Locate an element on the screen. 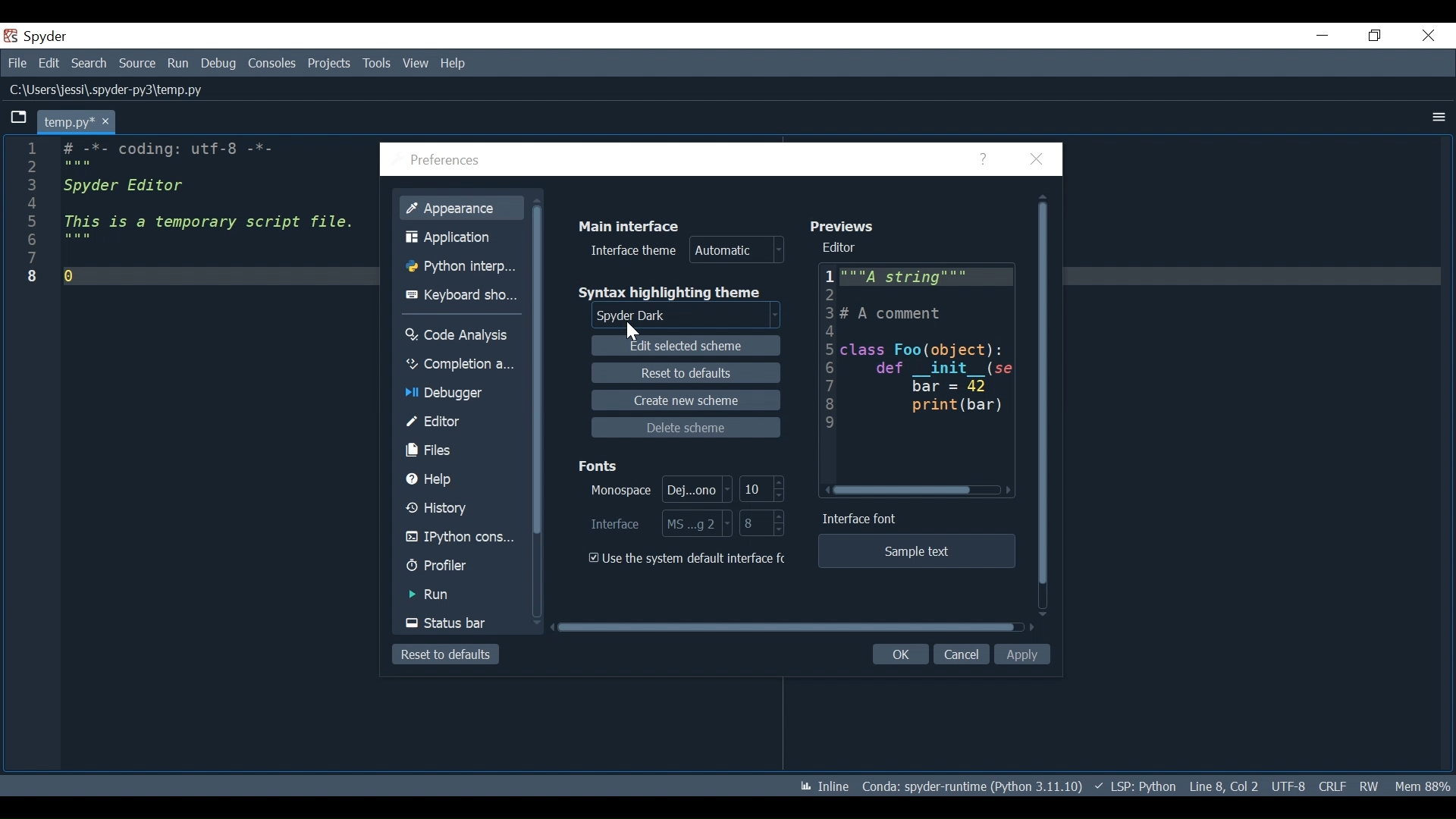  Editor is located at coordinates (463, 423).